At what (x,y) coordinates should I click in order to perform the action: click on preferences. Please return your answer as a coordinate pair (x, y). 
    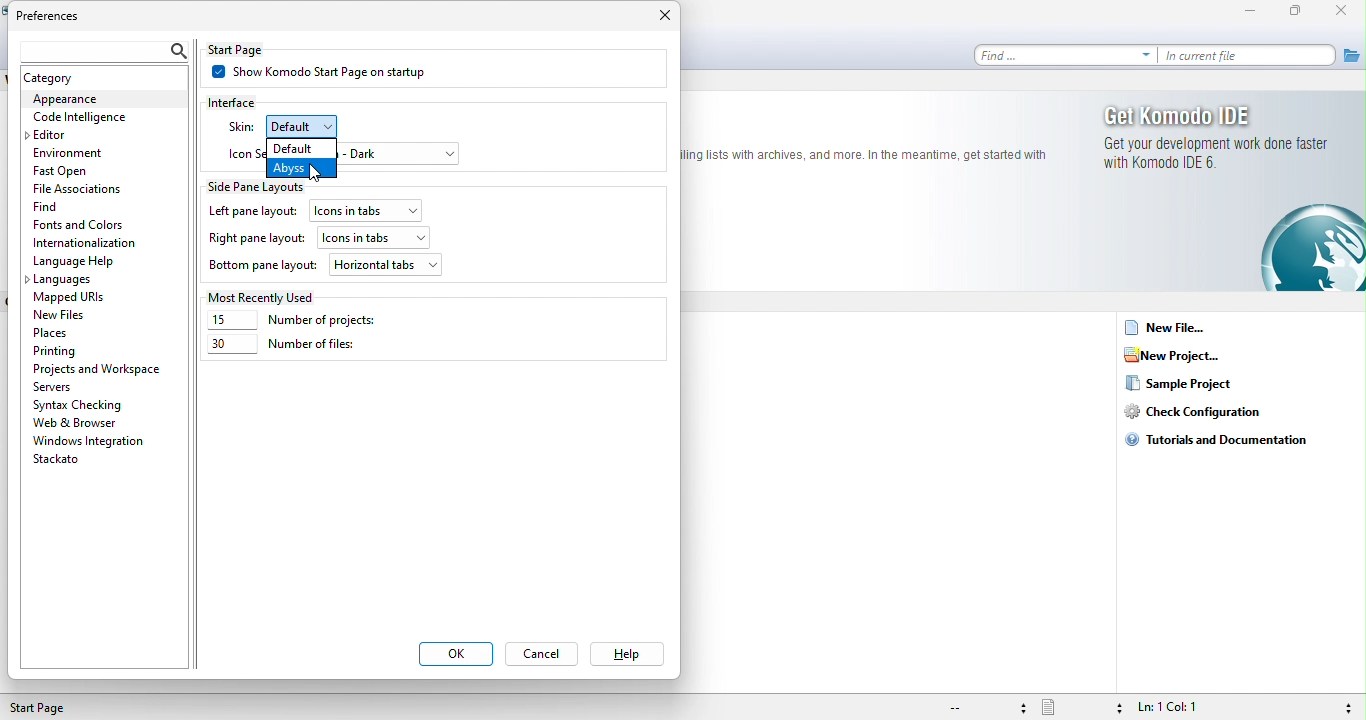
    Looking at the image, I should click on (60, 17).